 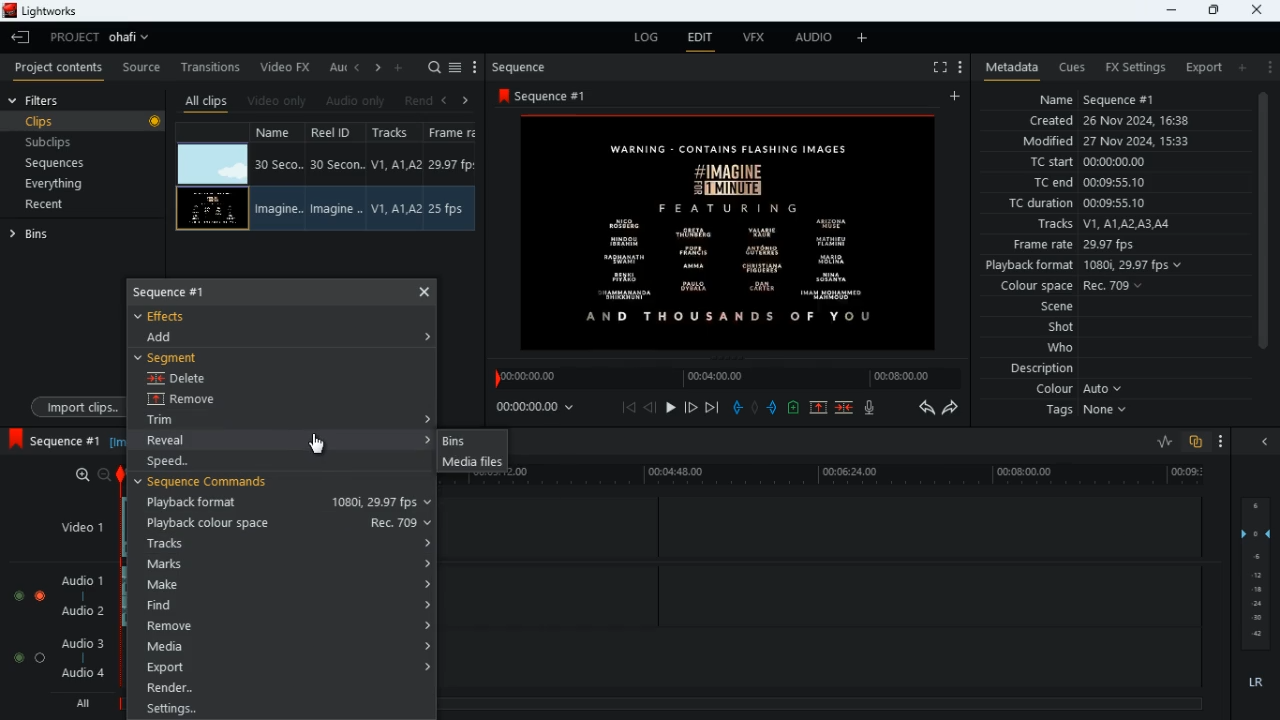 I want to click on description, so click(x=1033, y=369).